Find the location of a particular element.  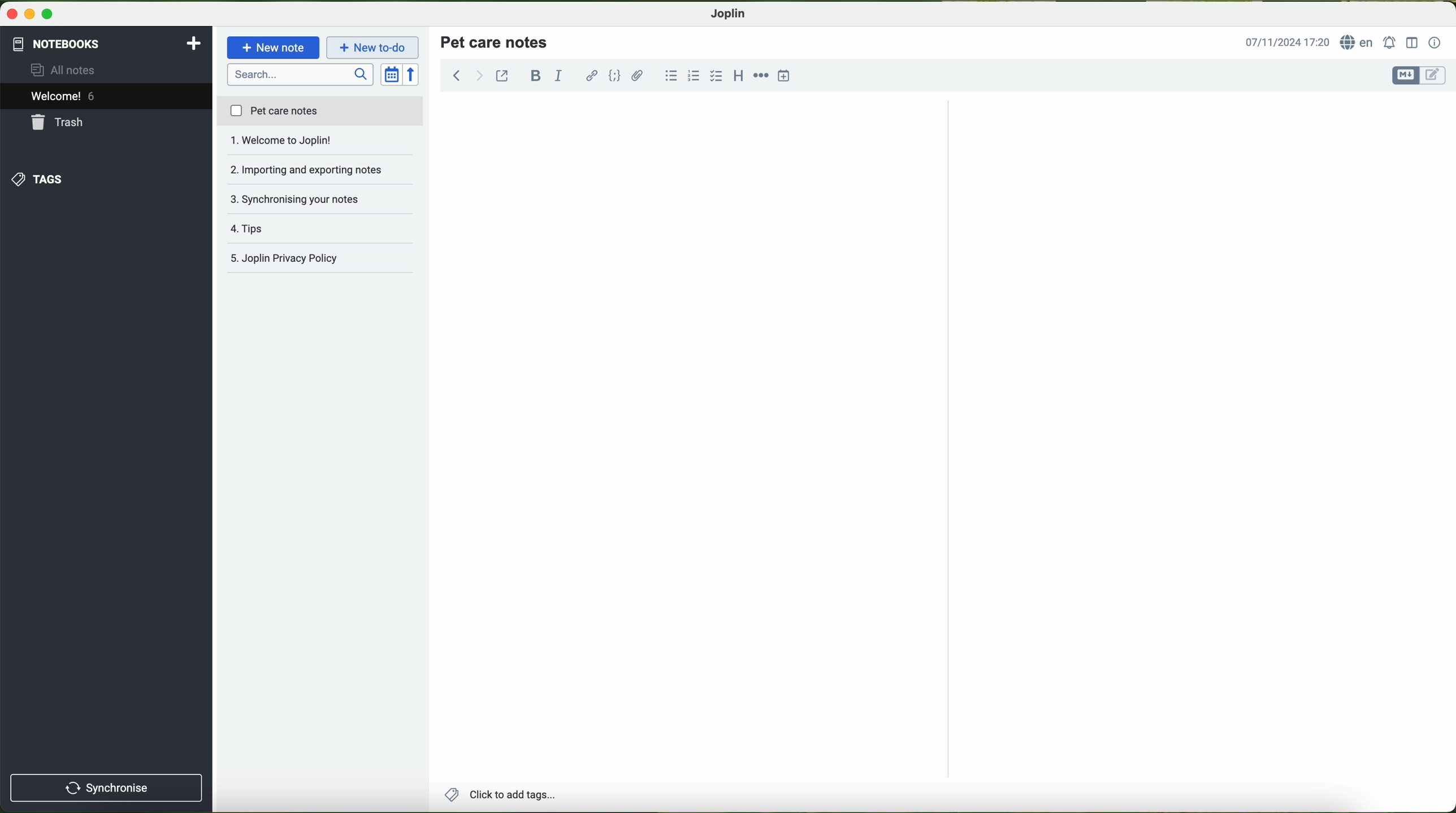

title pet care notes is located at coordinates (496, 41).